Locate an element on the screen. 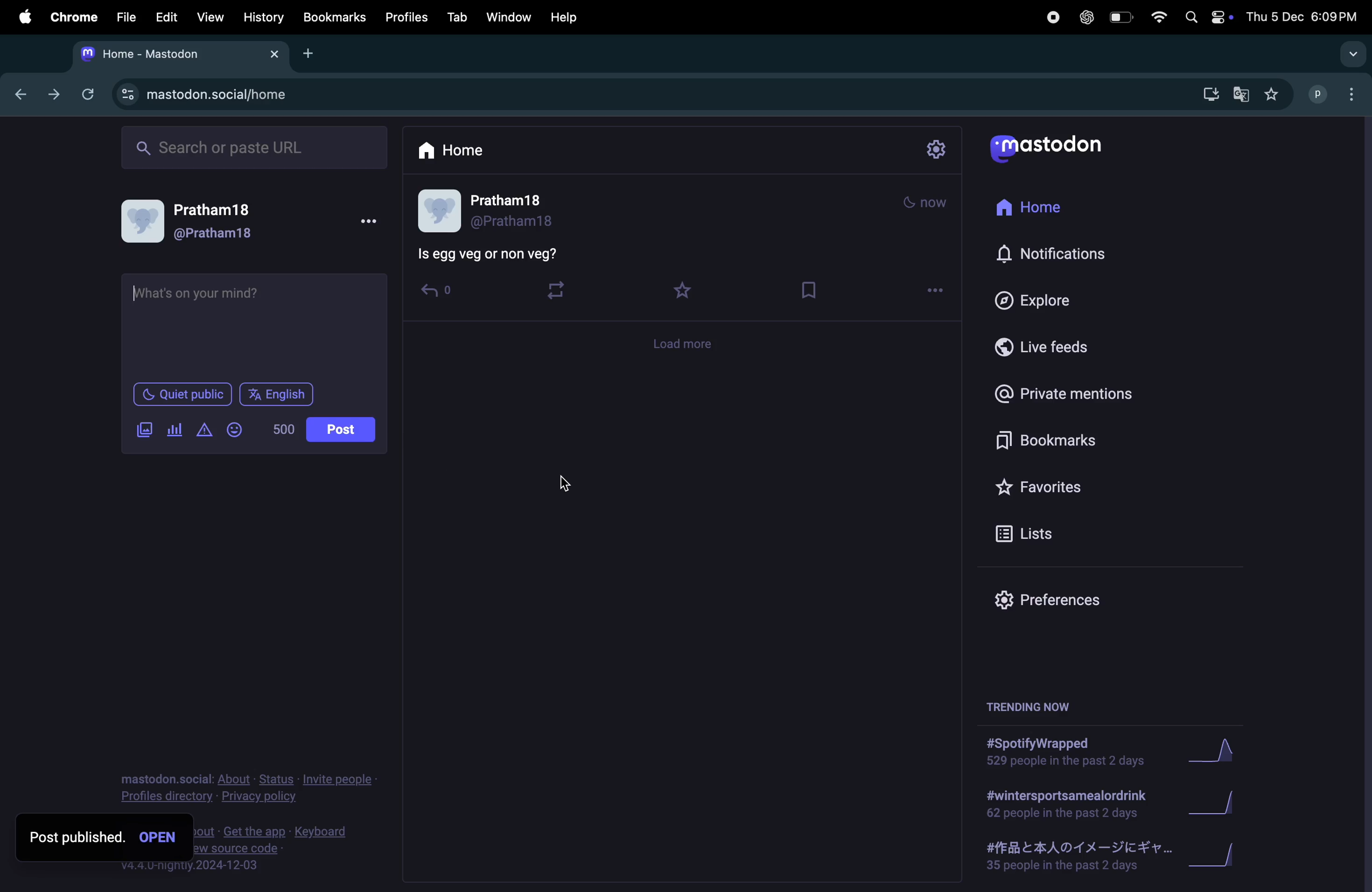 Image resolution: width=1372 pixels, height=892 pixels. file is located at coordinates (126, 16).